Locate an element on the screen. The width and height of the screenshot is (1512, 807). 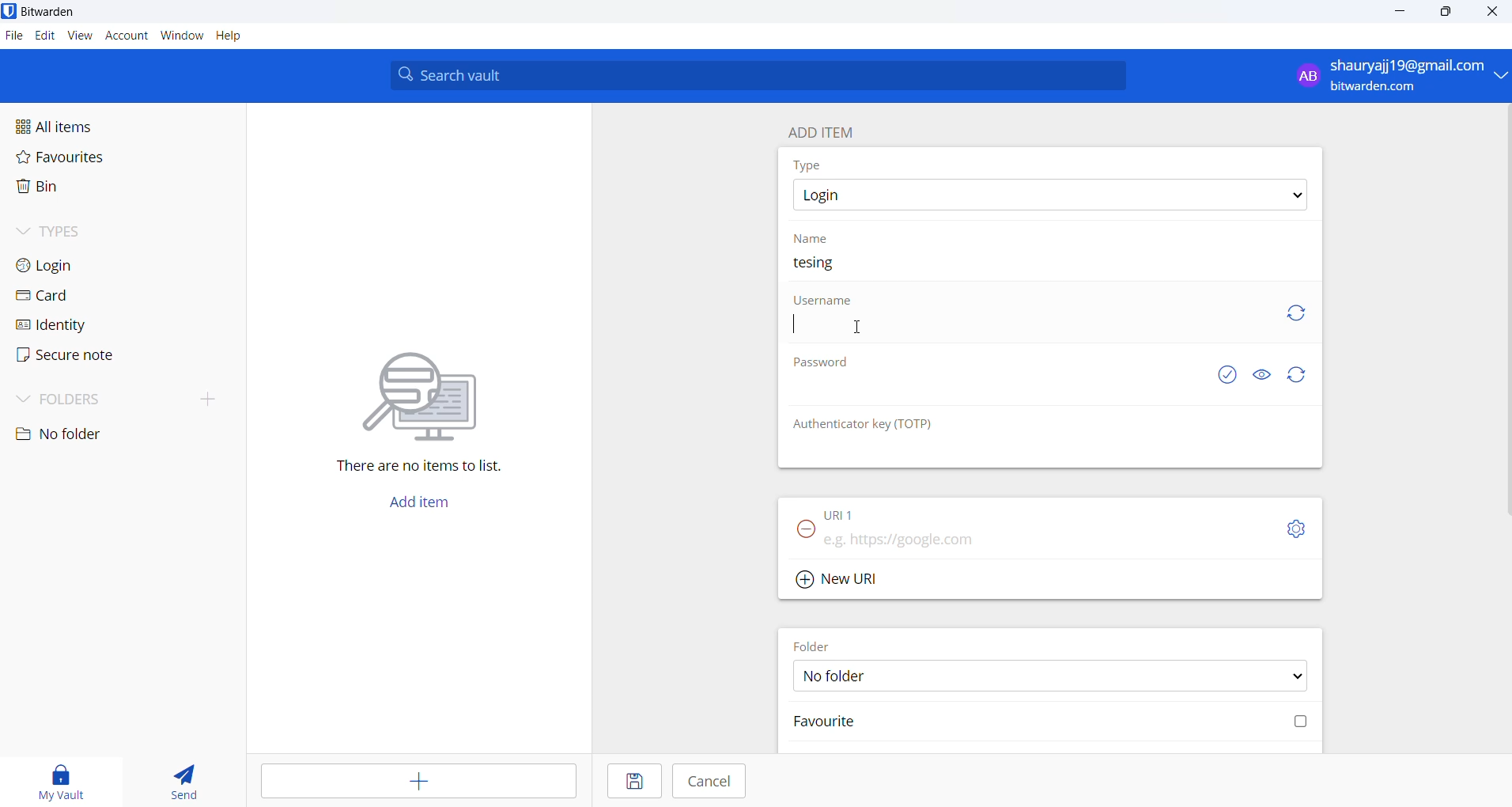
Window is located at coordinates (182, 39).